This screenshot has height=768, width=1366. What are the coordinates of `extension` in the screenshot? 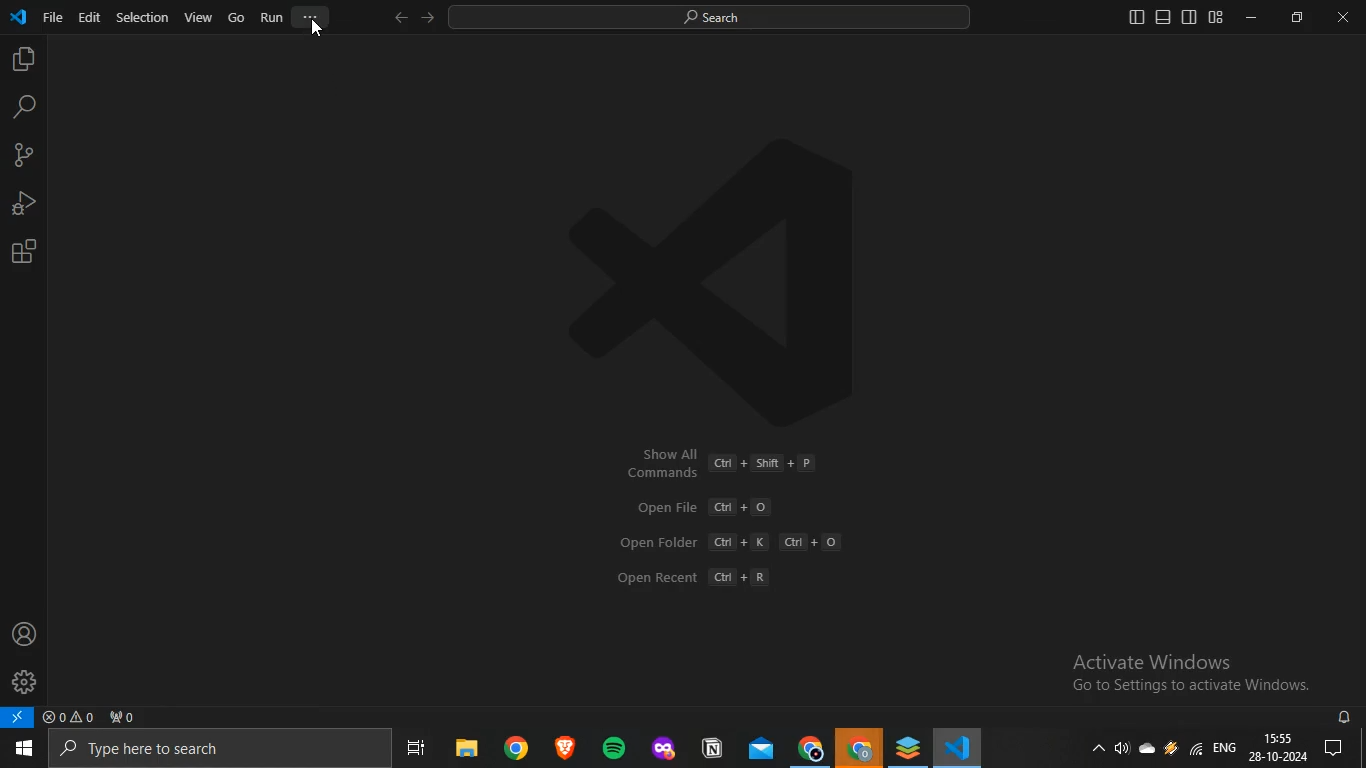 It's located at (25, 251).